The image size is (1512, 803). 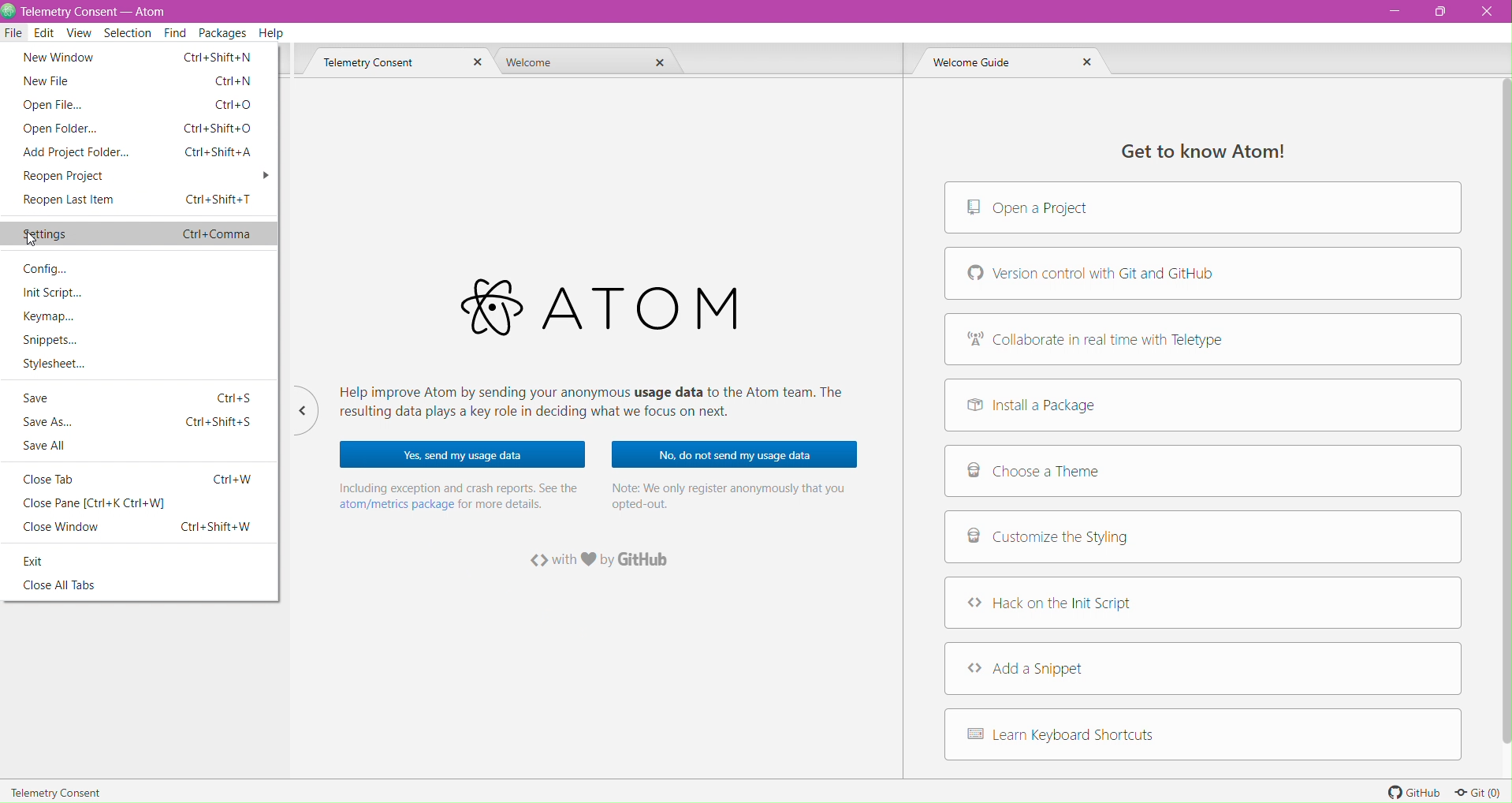 What do you see at coordinates (1395, 16) in the screenshot?
I see `Minimize` at bounding box center [1395, 16].